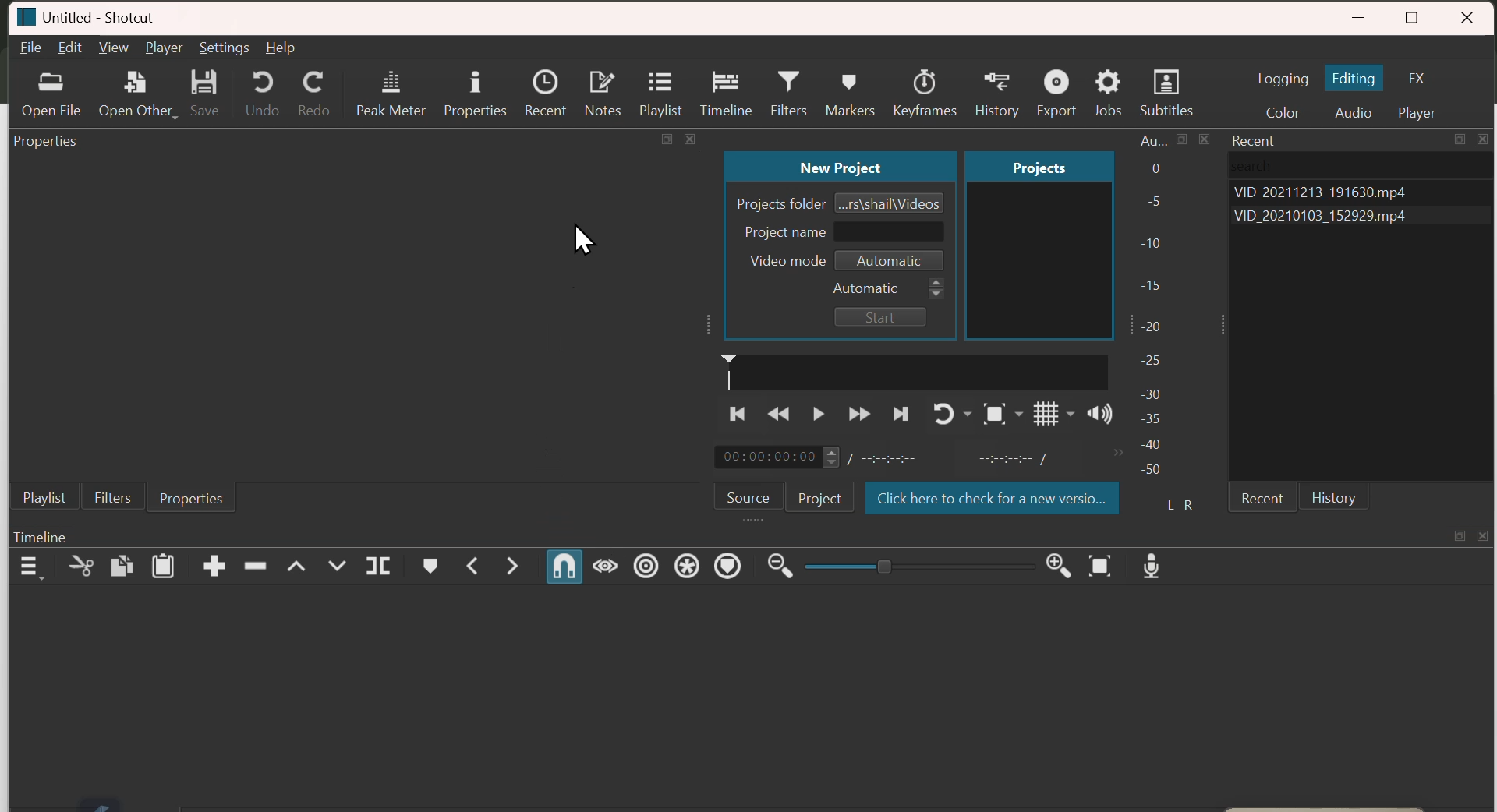 The image size is (1497, 812). Describe the element at coordinates (1055, 85) in the screenshot. I see `Export` at that location.